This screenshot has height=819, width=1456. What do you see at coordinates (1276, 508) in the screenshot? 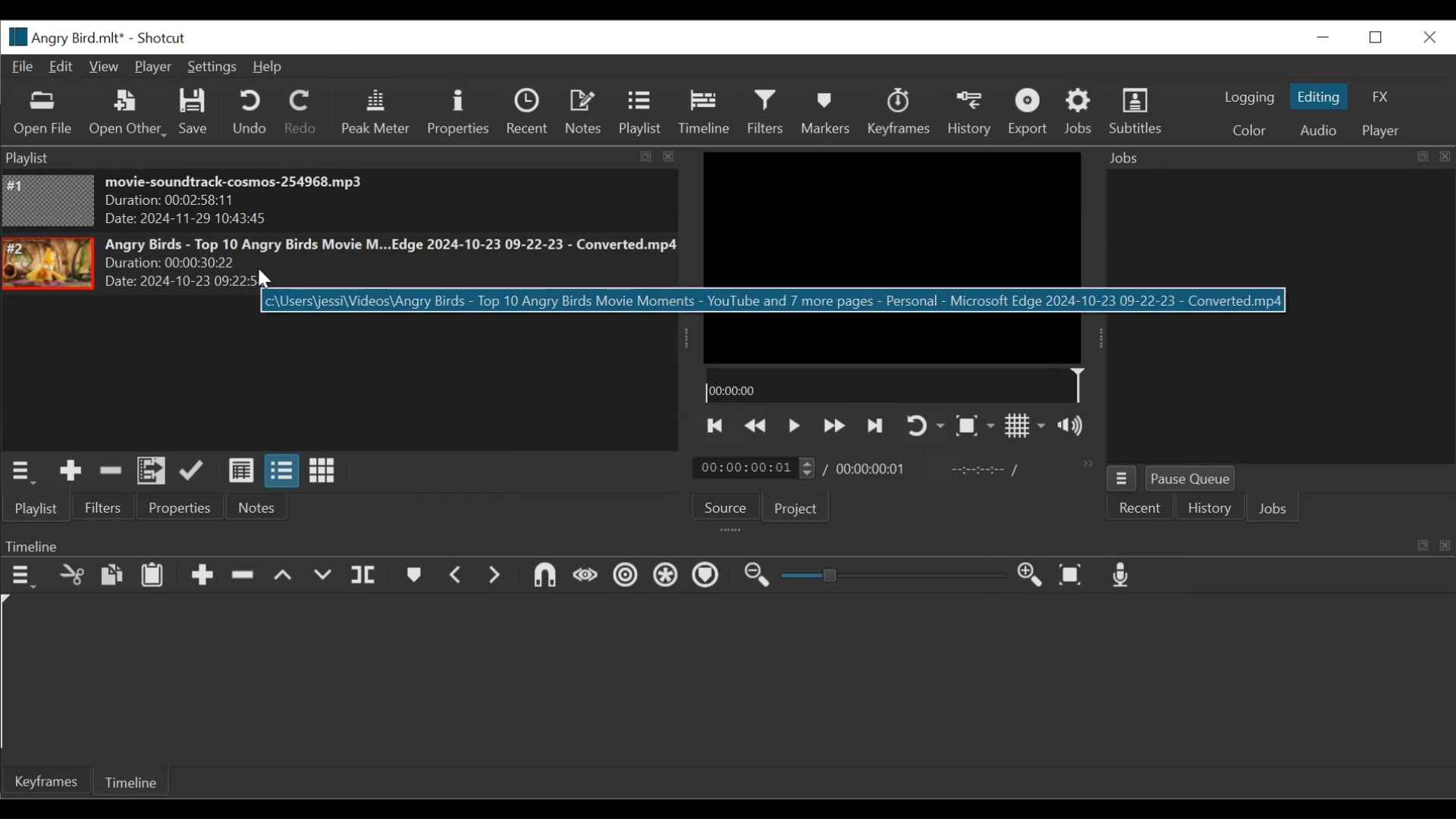
I see `Jobs` at bounding box center [1276, 508].